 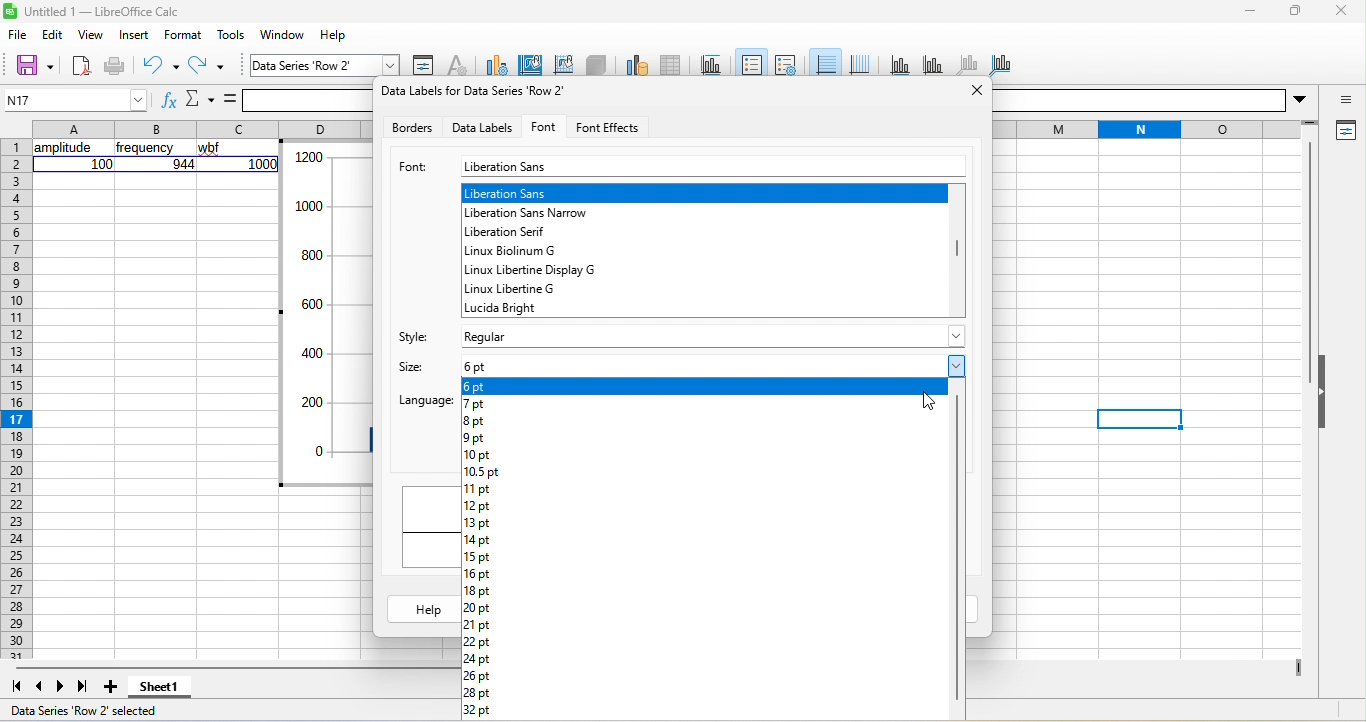 I want to click on rows, so click(x=15, y=399).